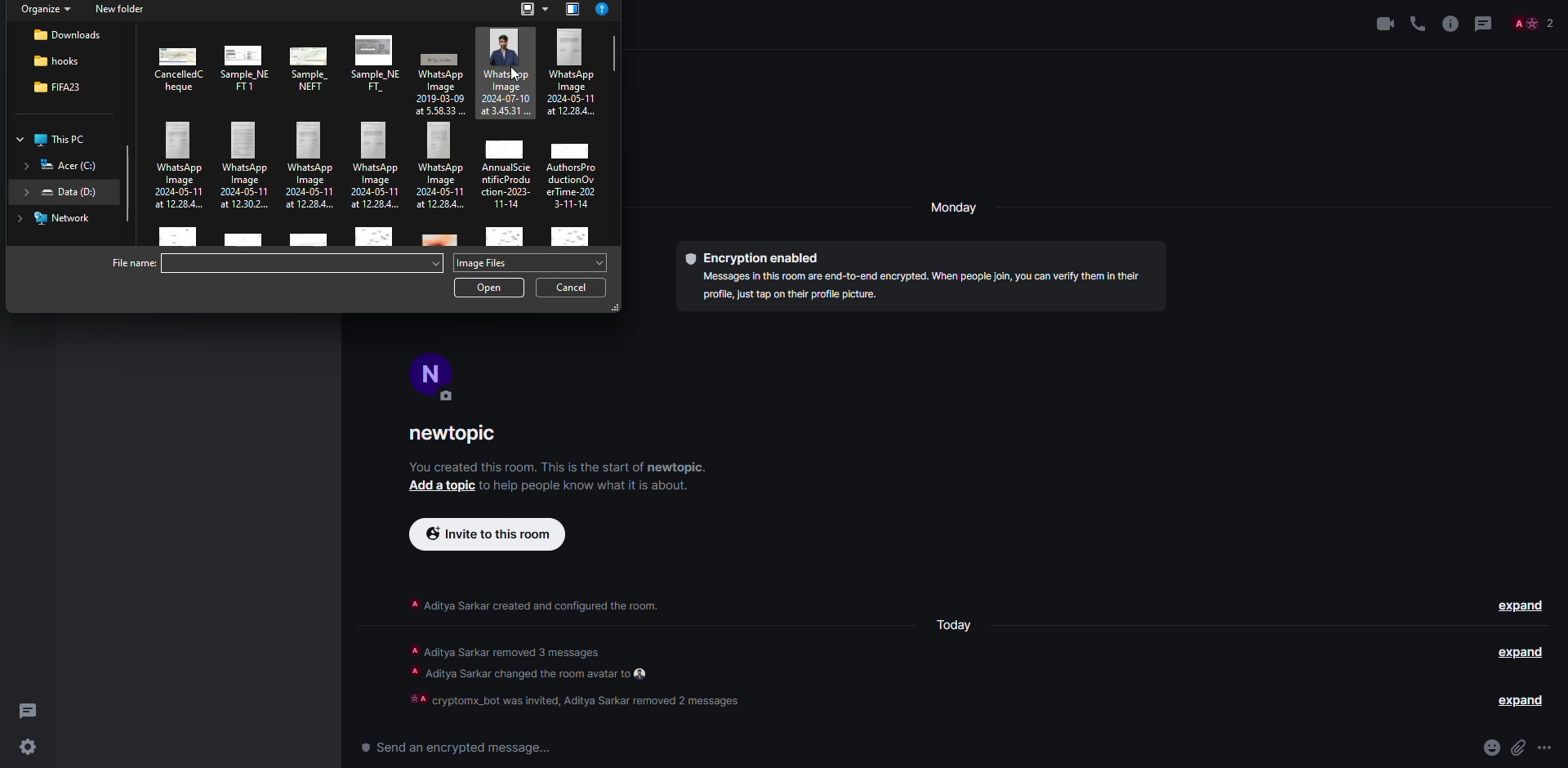 This screenshot has width=1568, height=768. I want to click on click to select, so click(246, 239).